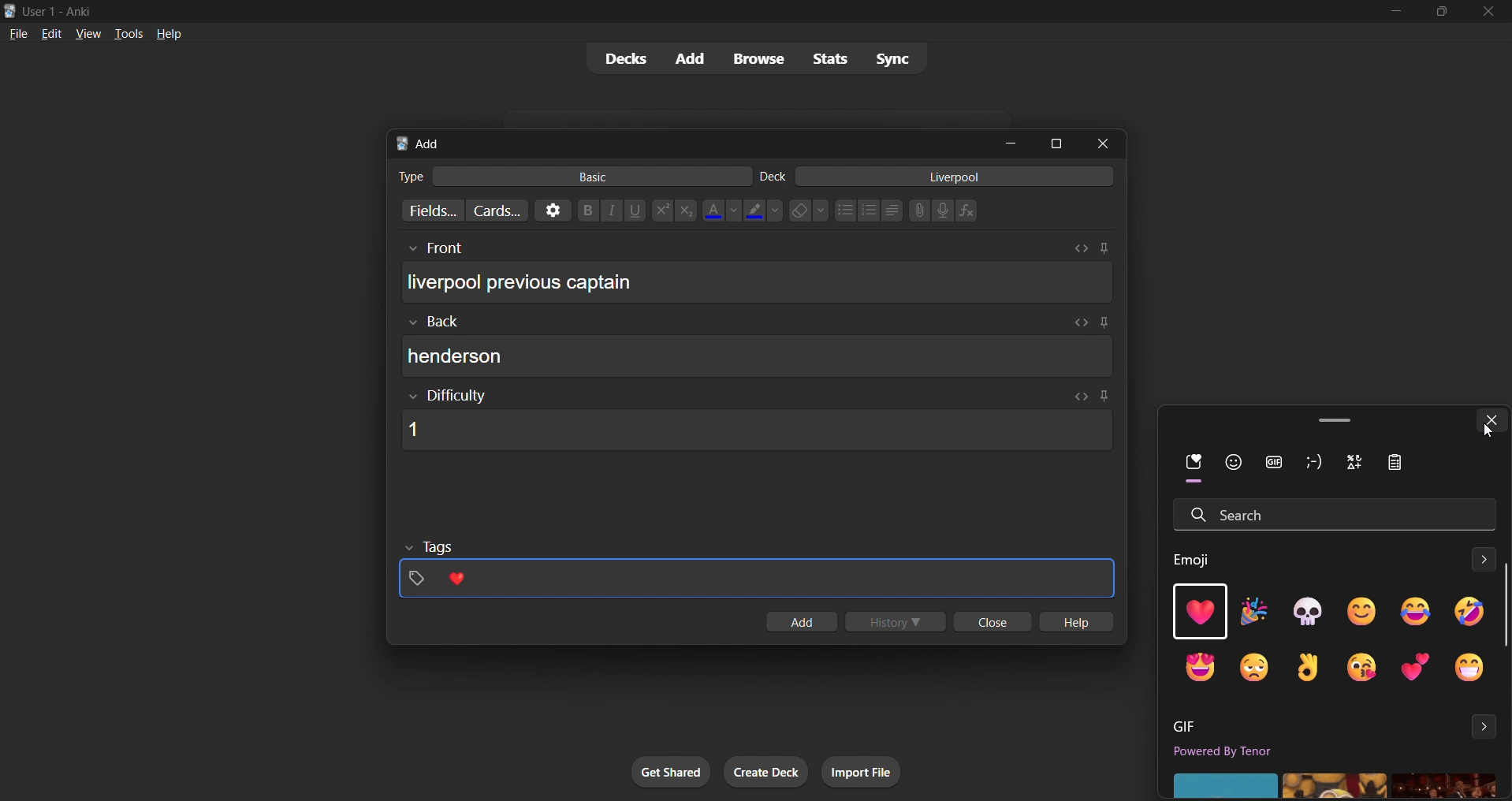  What do you see at coordinates (619, 61) in the screenshot?
I see `decks` at bounding box center [619, 61].